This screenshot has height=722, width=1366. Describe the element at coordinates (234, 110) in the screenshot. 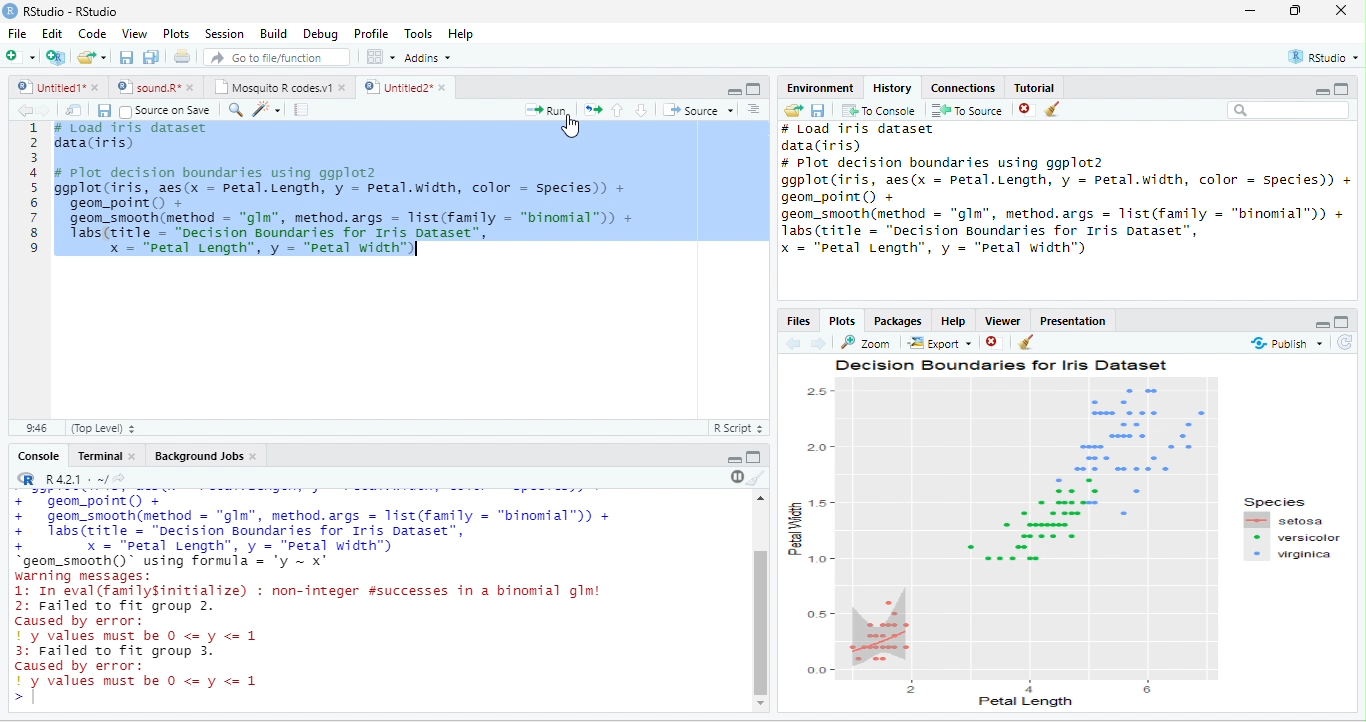

I see `search` at that location.